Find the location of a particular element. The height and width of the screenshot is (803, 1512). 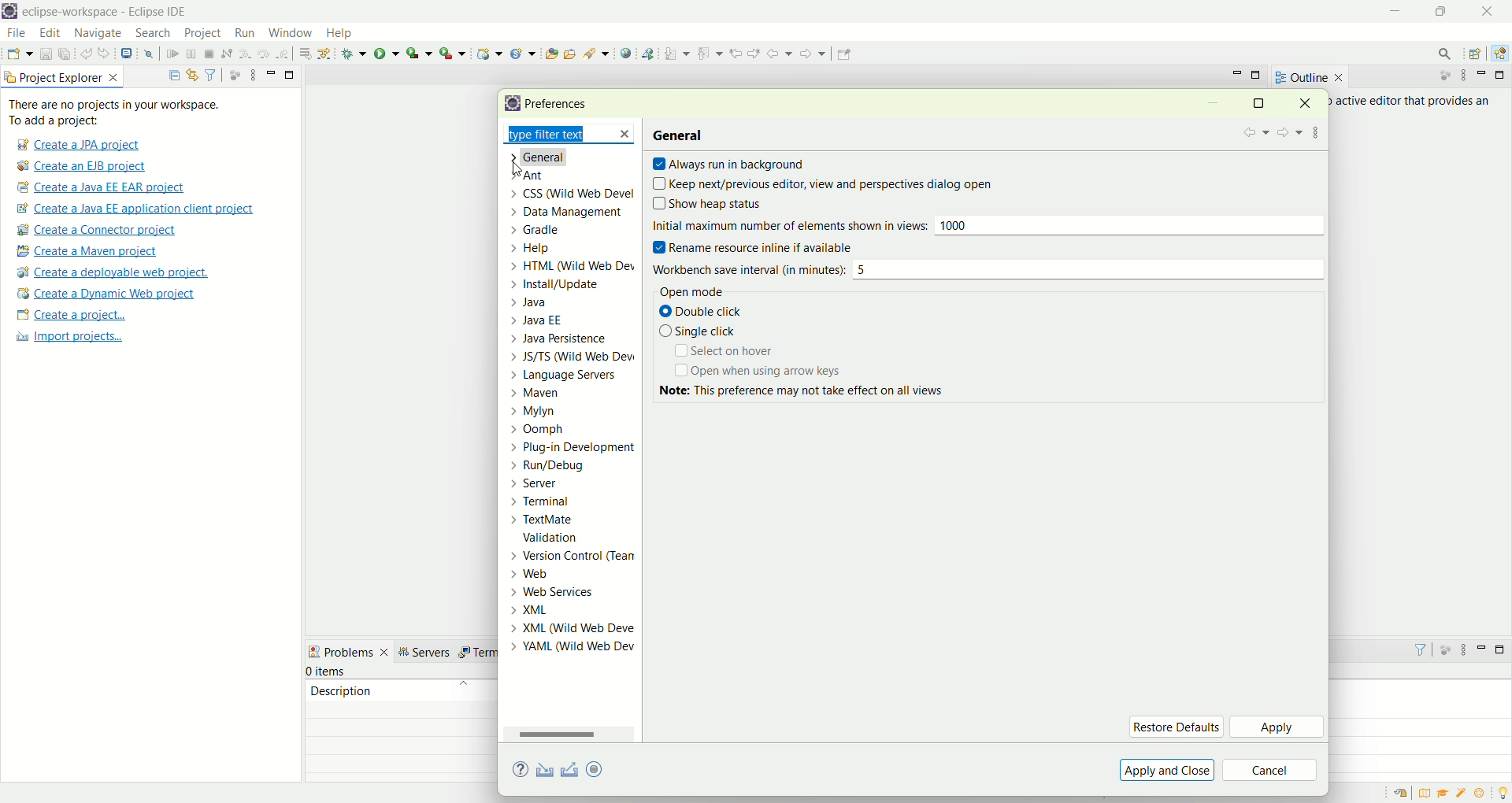

overview is located at coordinates (1428, 793).